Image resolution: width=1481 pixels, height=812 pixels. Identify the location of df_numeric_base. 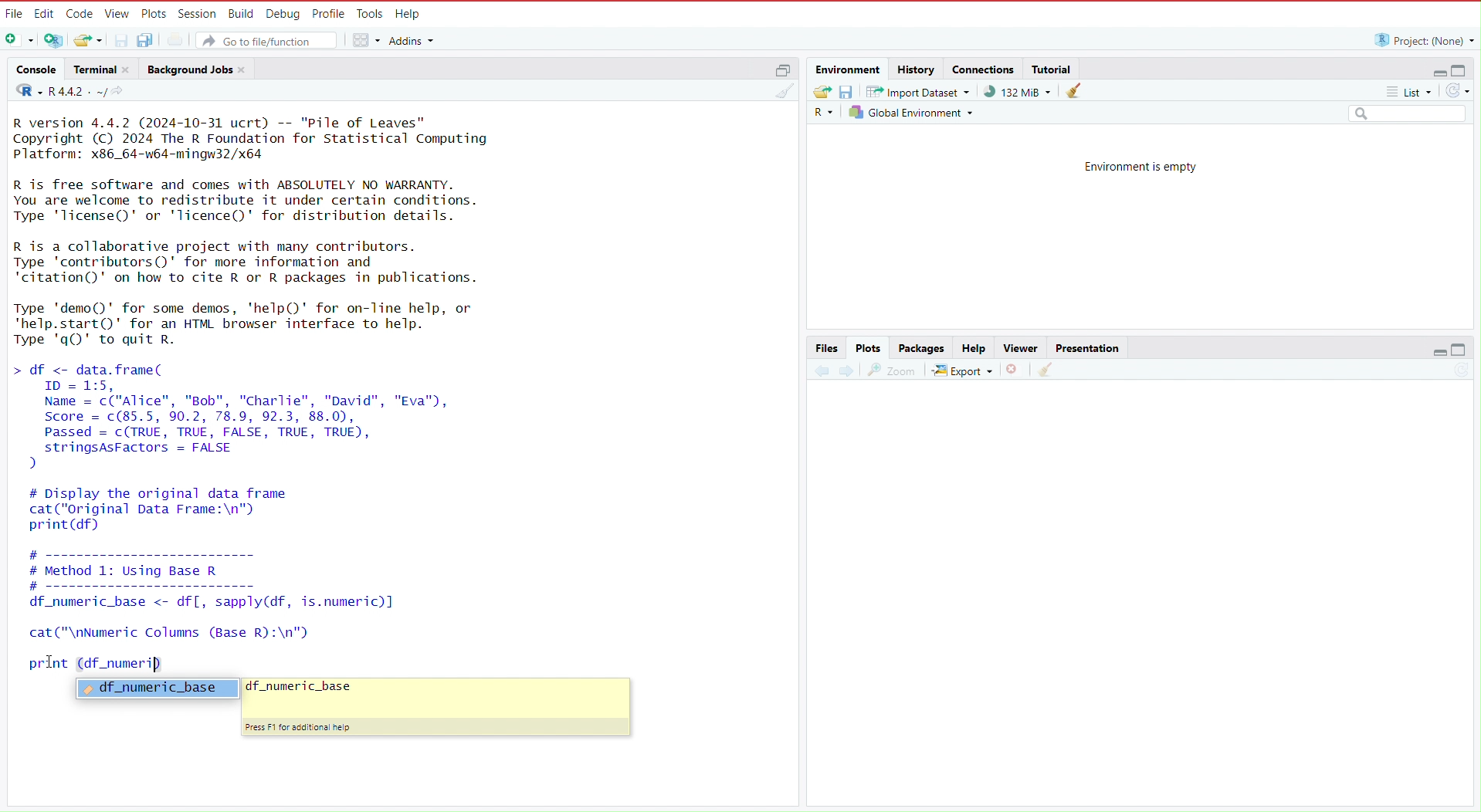
(307, 687).